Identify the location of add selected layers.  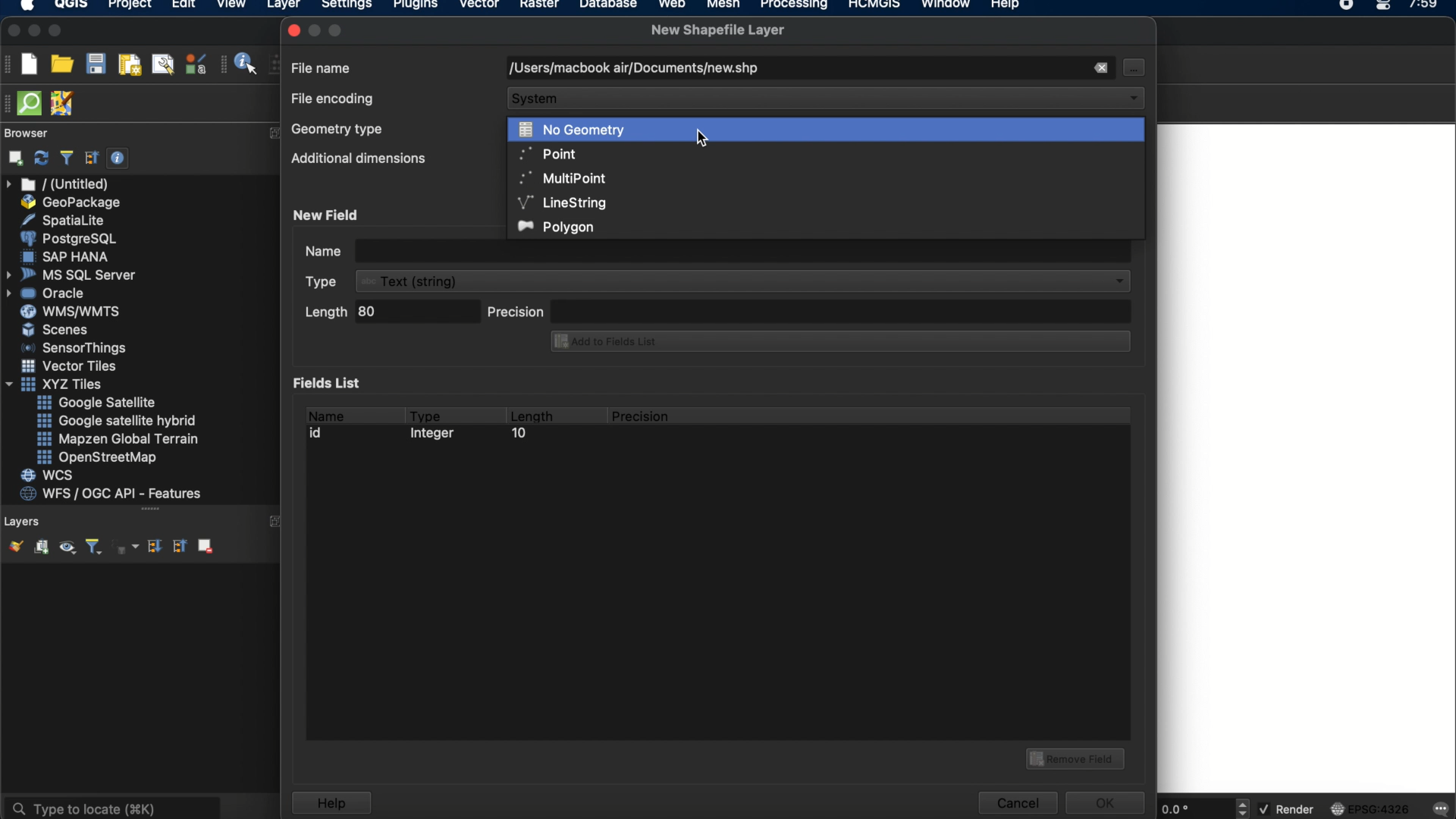
(13, 158).